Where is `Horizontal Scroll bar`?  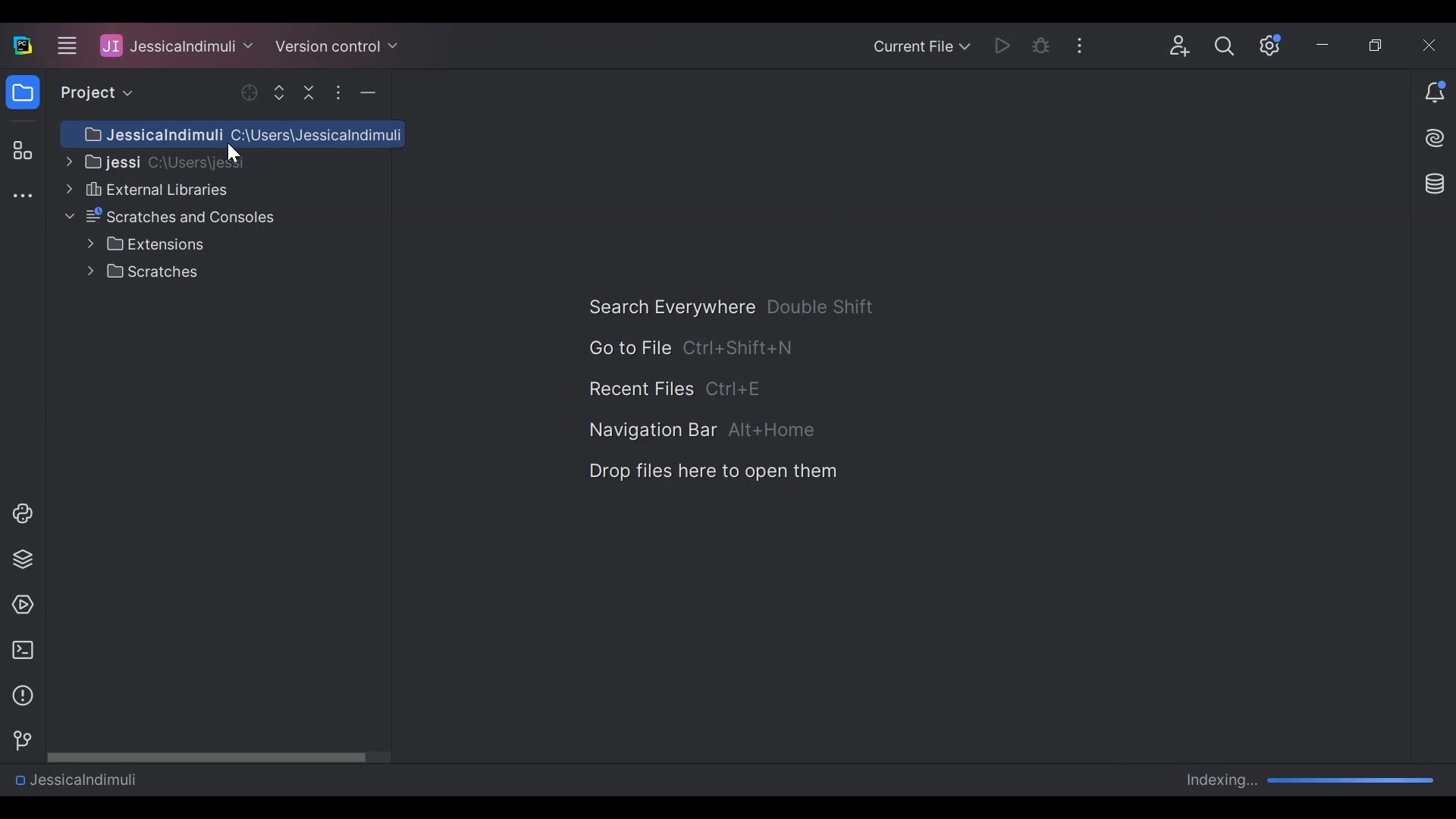
Horizontal Scroll bar is located at coordinates (219, 756).